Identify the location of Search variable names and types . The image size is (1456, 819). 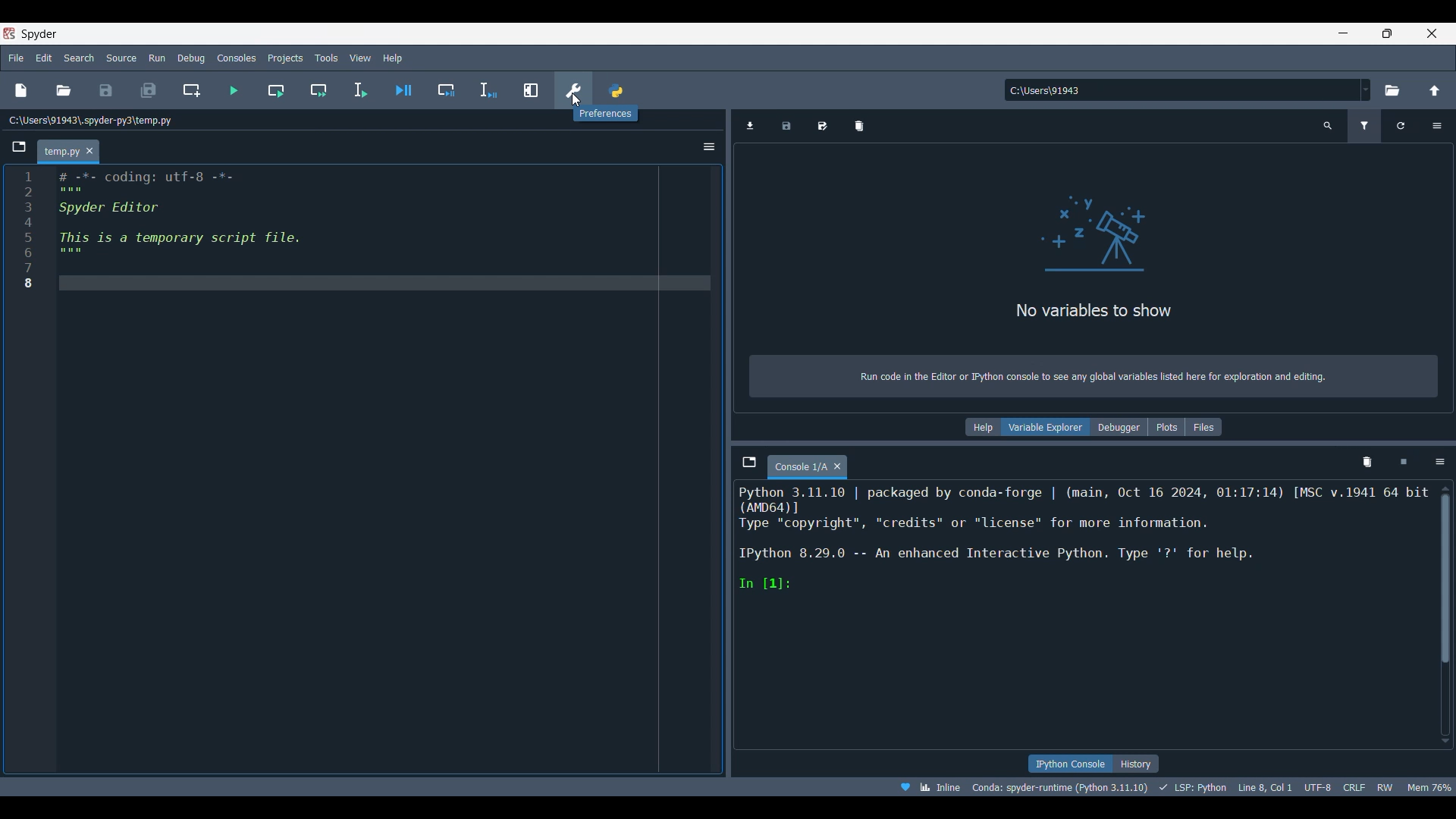
(1328, 126).